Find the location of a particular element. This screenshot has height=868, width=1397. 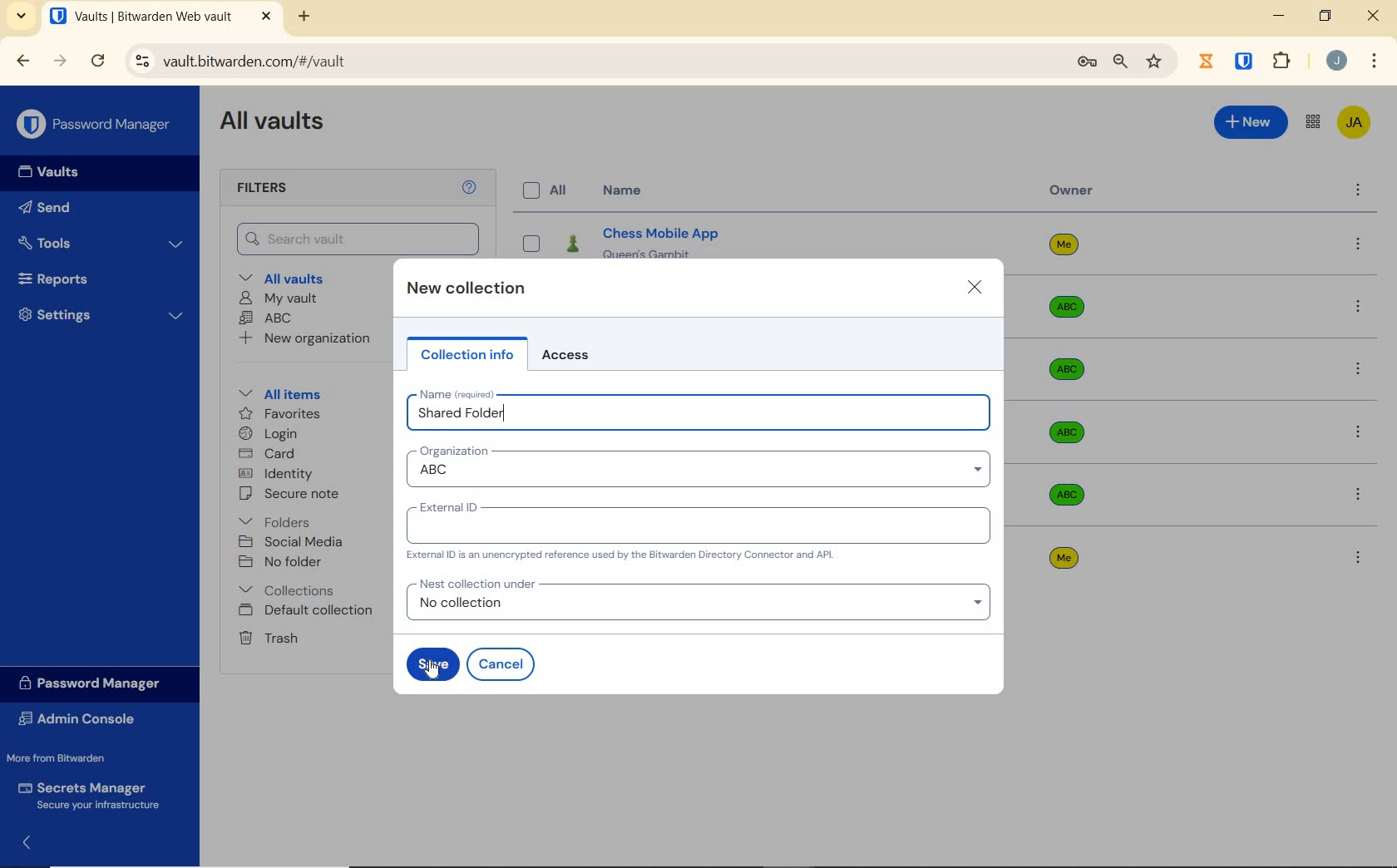

External ID is located at coordinates (449, 506).